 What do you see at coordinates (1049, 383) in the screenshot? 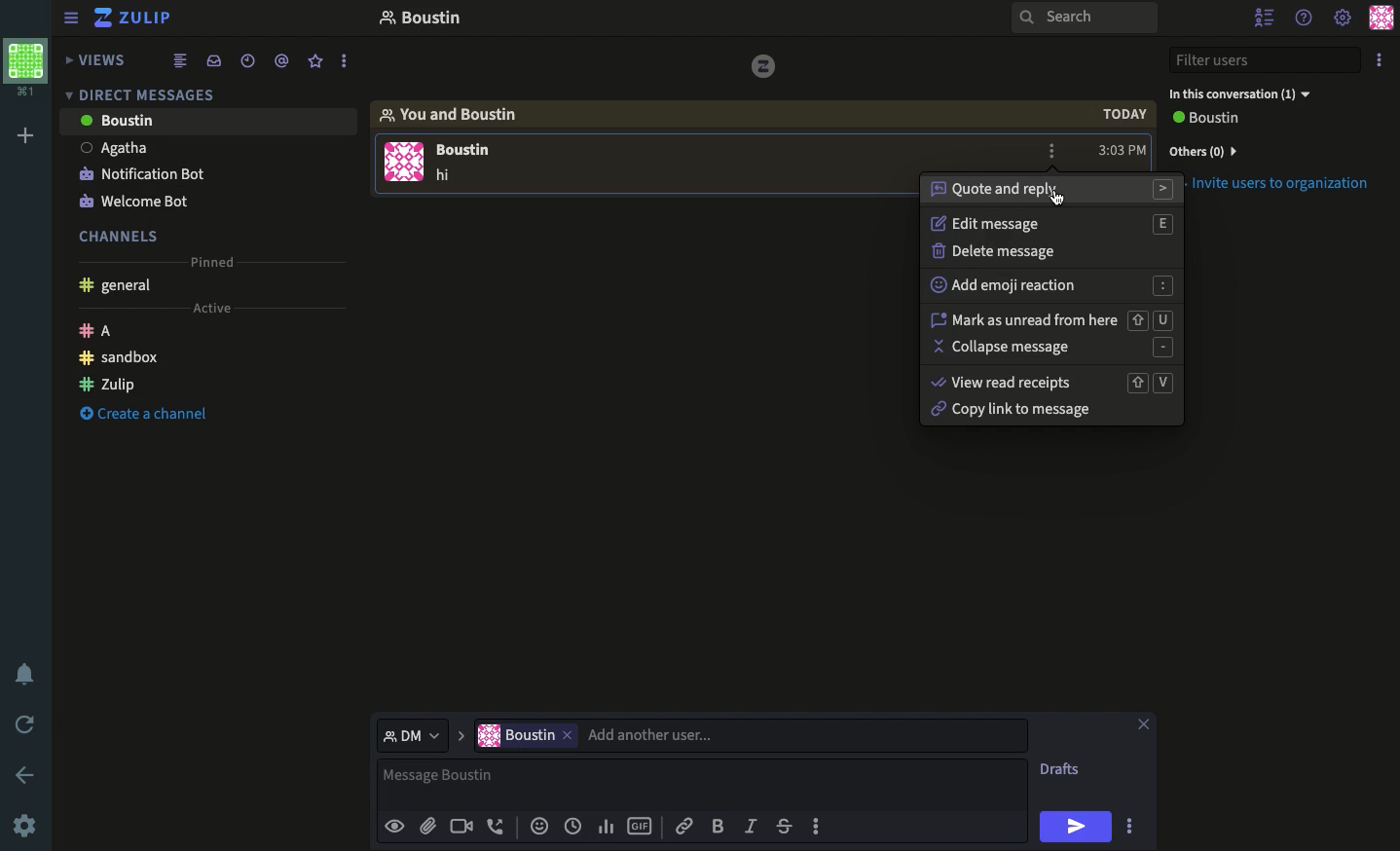
I see `View read receipts` at bounding box center [1049, 383].